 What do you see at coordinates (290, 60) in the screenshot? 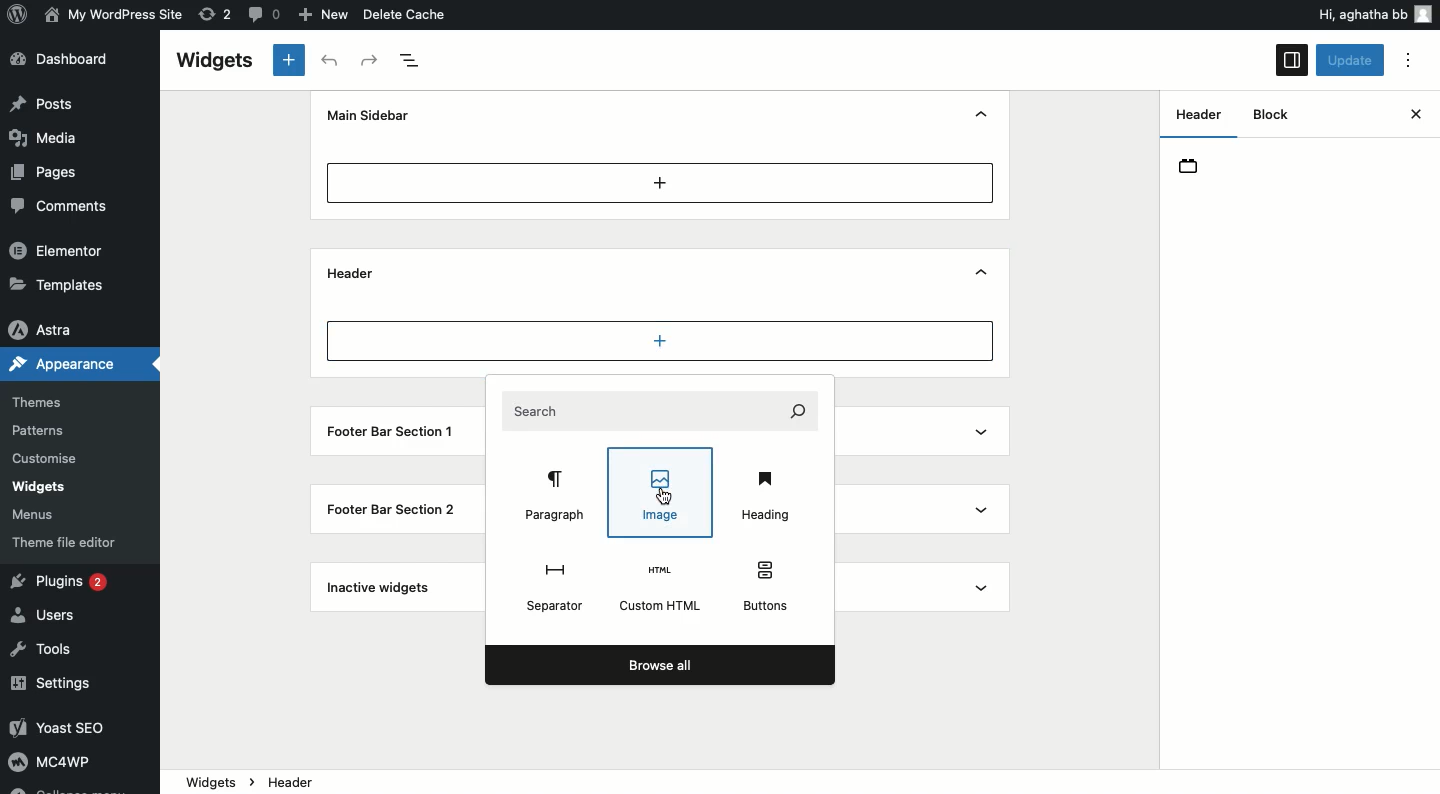
I see `New block` at bounding box center [290, 60].